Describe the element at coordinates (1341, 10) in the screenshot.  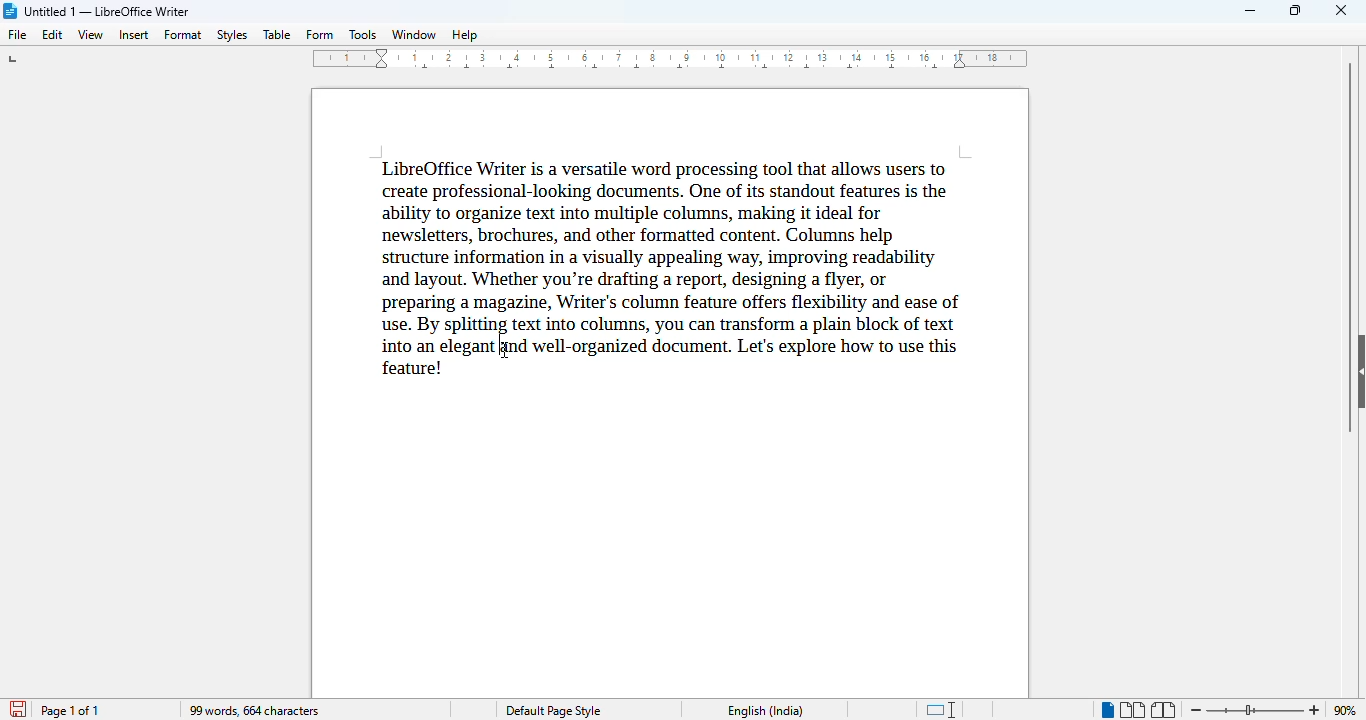
I see `close` at that location.